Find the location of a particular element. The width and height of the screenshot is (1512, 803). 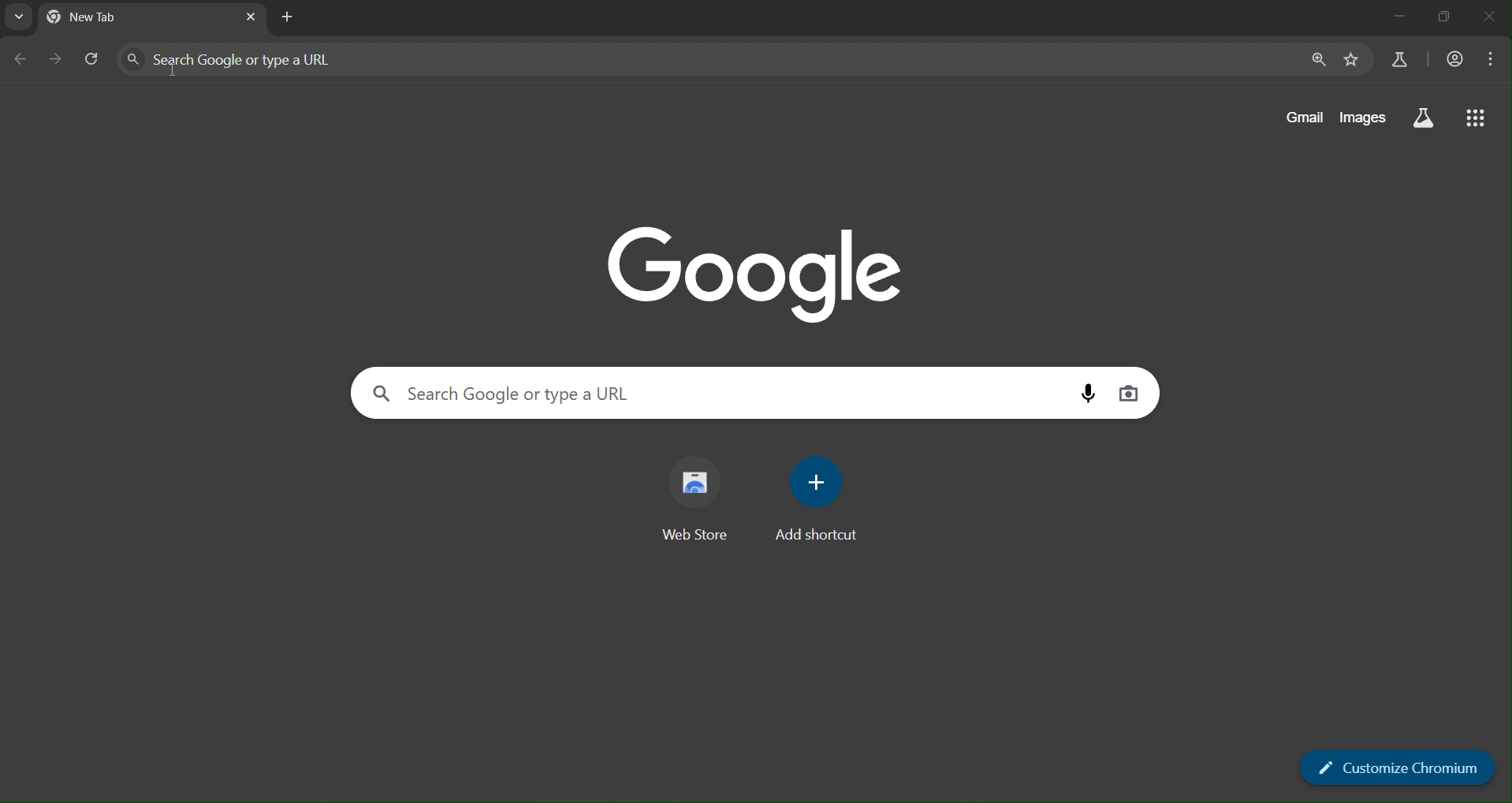

search google or type a URL is located at coordinates (516, 394).